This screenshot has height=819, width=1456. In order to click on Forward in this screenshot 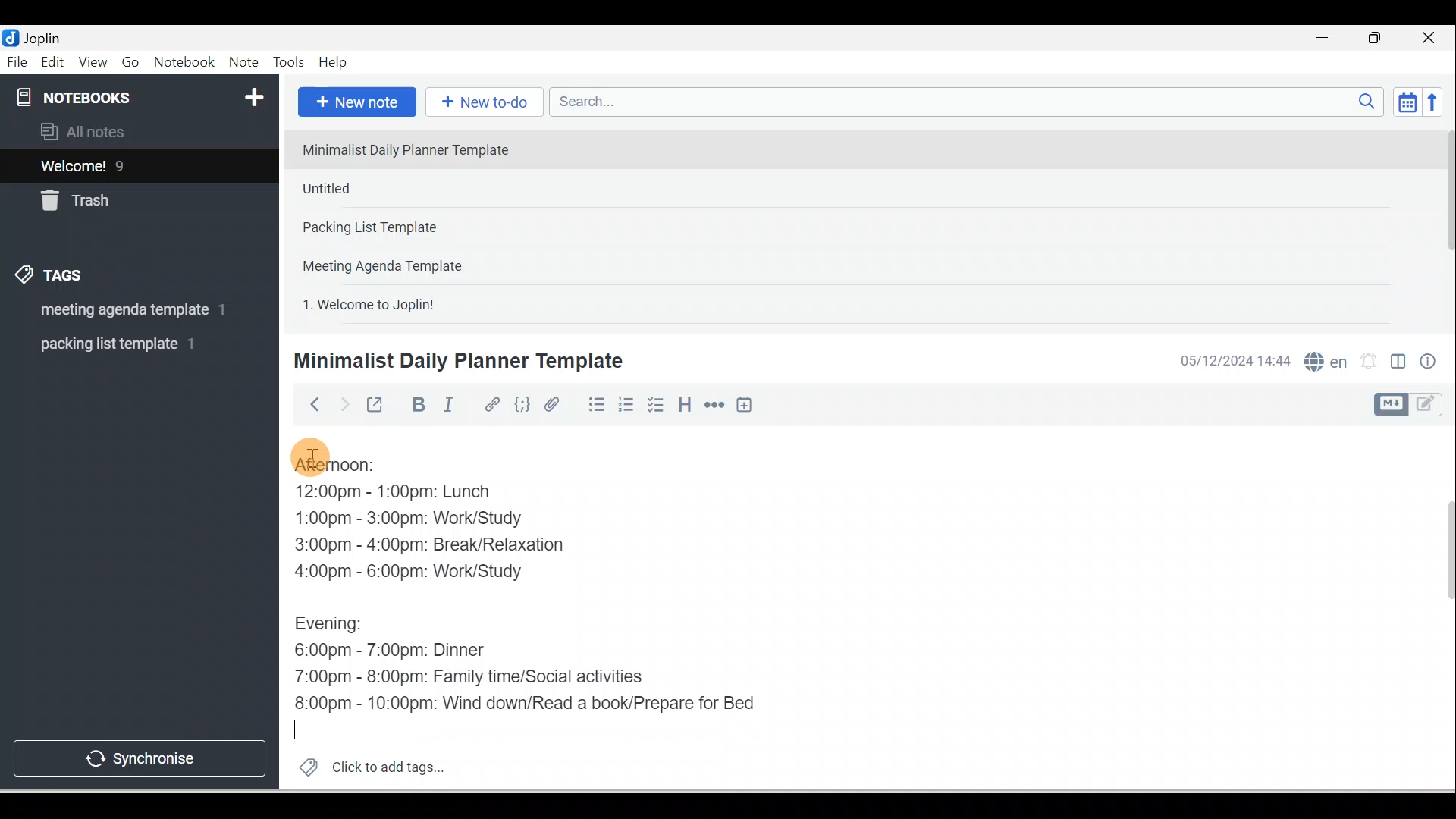, I will do `click(343, 403)`.